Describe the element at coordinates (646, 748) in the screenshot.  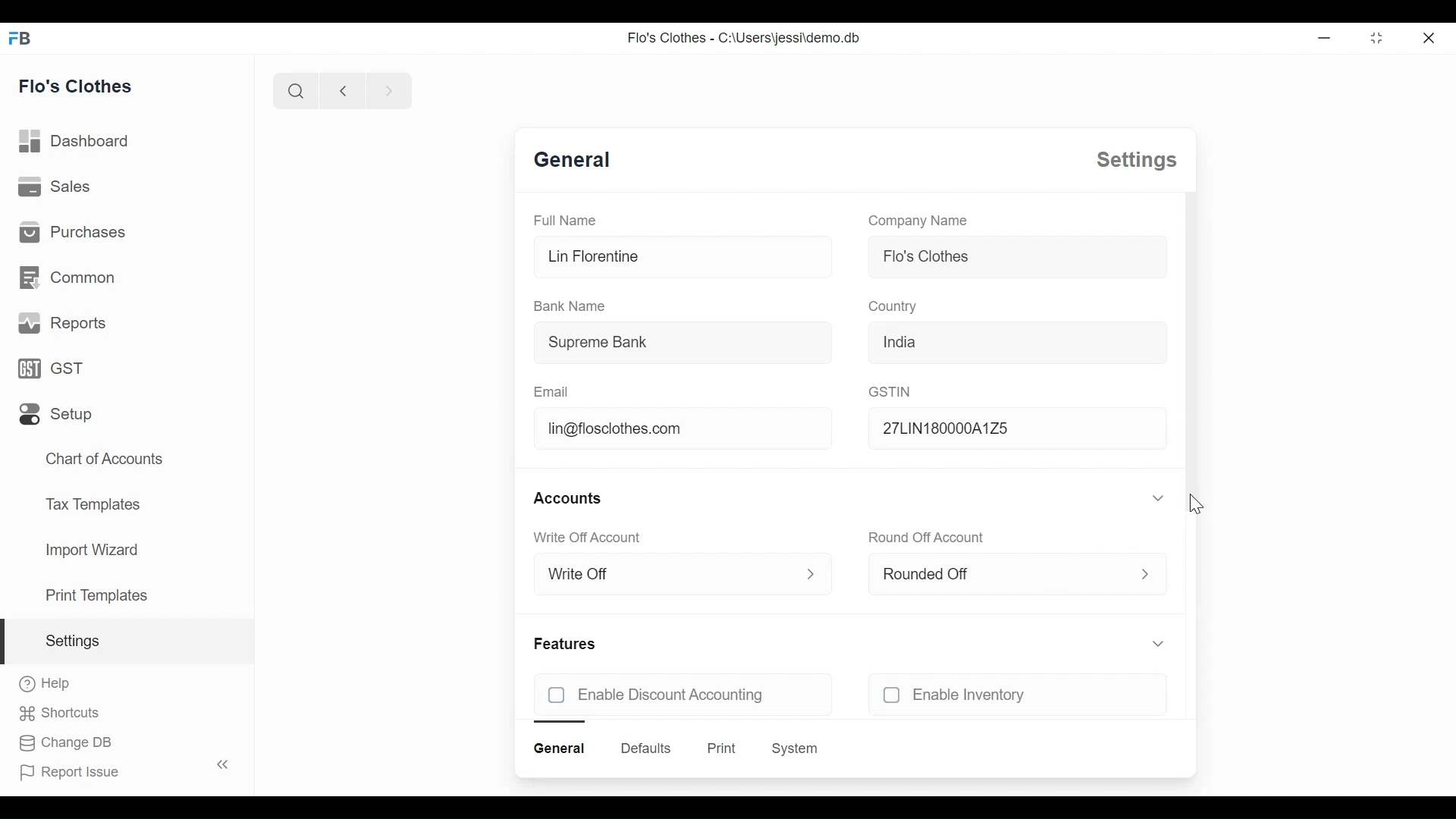
I see `Defaults` at that location.